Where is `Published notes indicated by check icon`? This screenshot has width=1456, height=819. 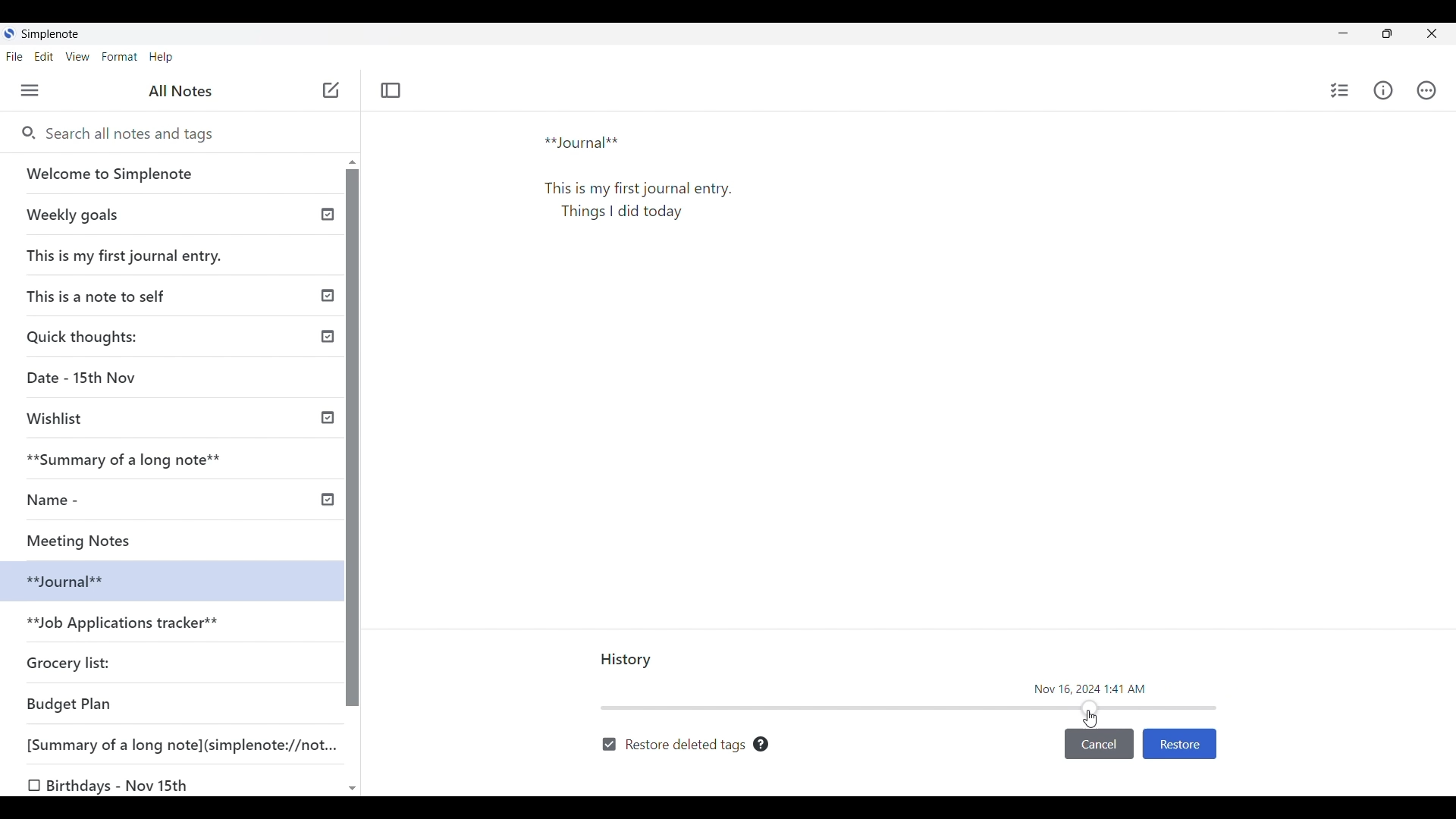 Published notes indicated by check icon is located at coordinates (328, 357).